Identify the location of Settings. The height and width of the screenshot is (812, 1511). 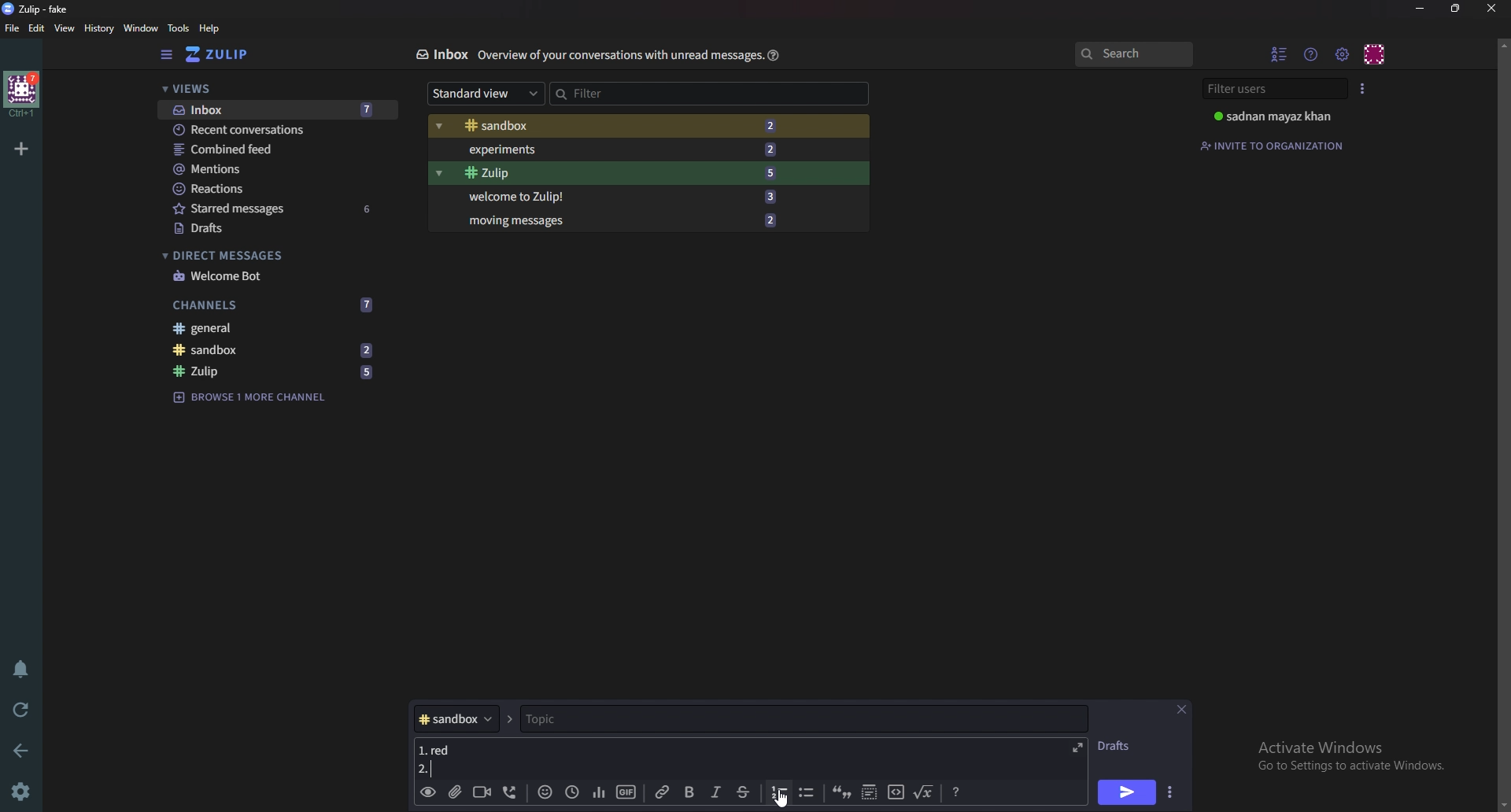
(24, 791).